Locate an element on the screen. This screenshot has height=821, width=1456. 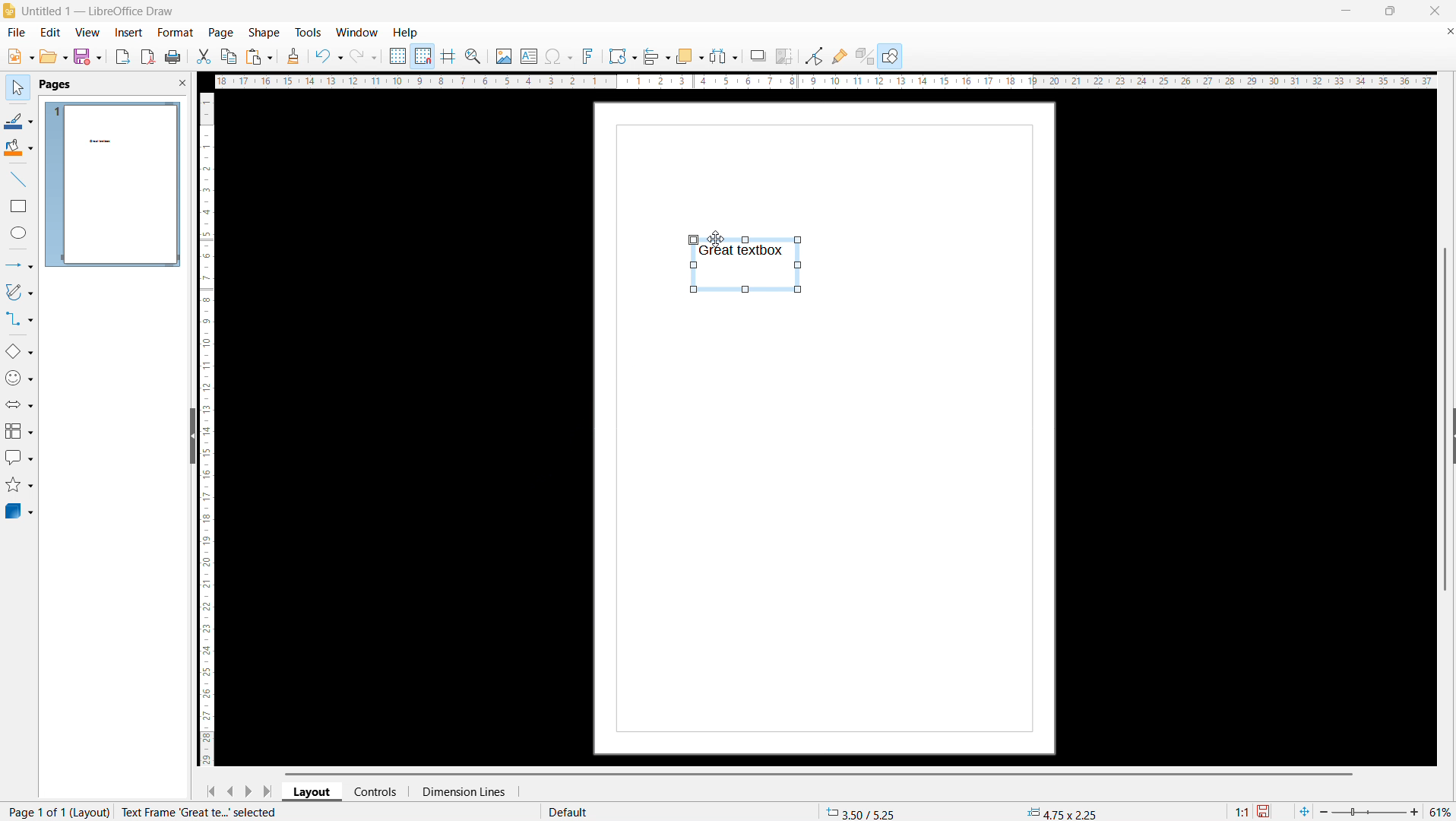
toggle point edit mode is located at coordinates (815, 55).